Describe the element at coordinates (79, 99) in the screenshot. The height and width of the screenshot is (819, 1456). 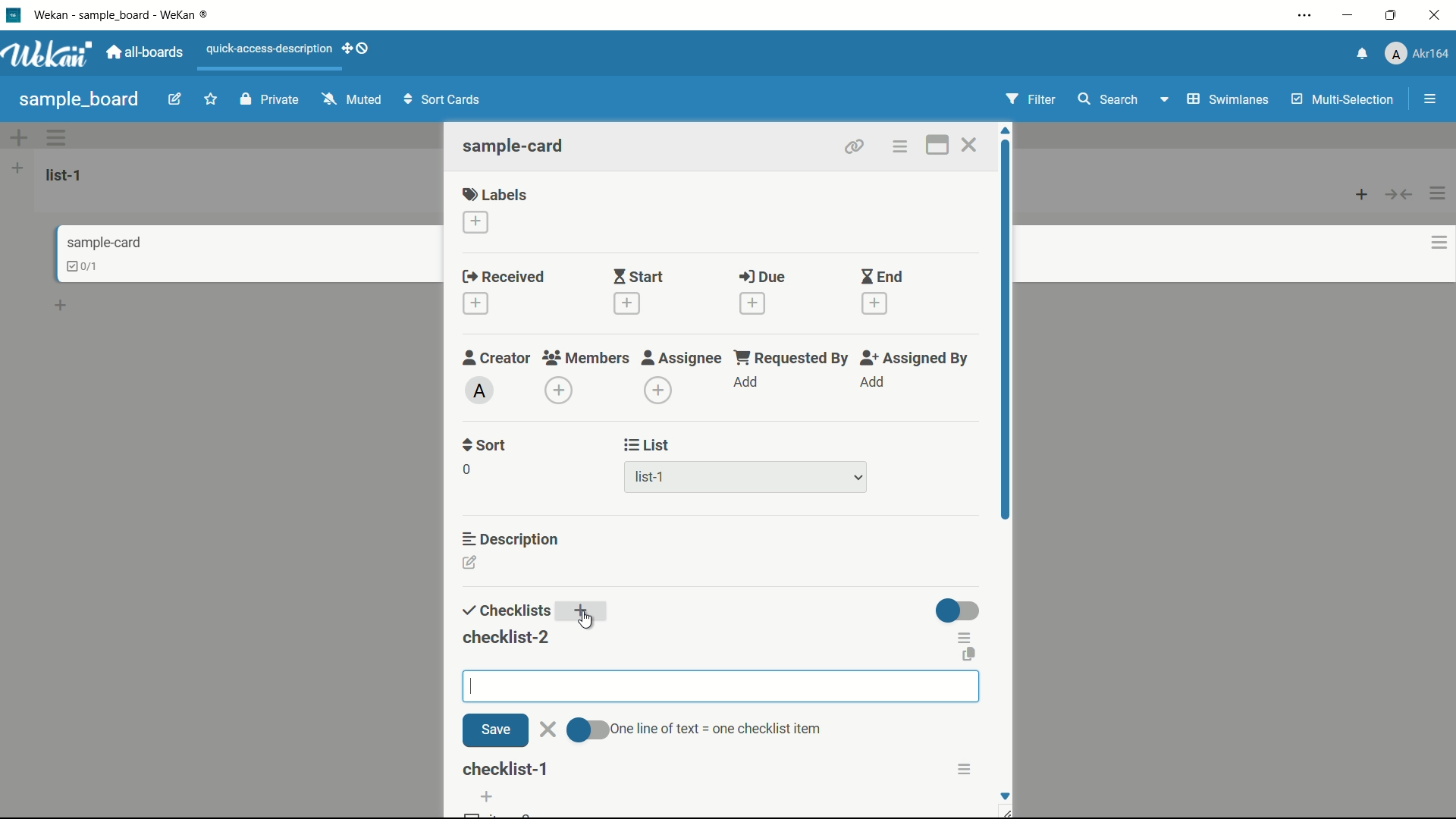
I see `board name` at that location.